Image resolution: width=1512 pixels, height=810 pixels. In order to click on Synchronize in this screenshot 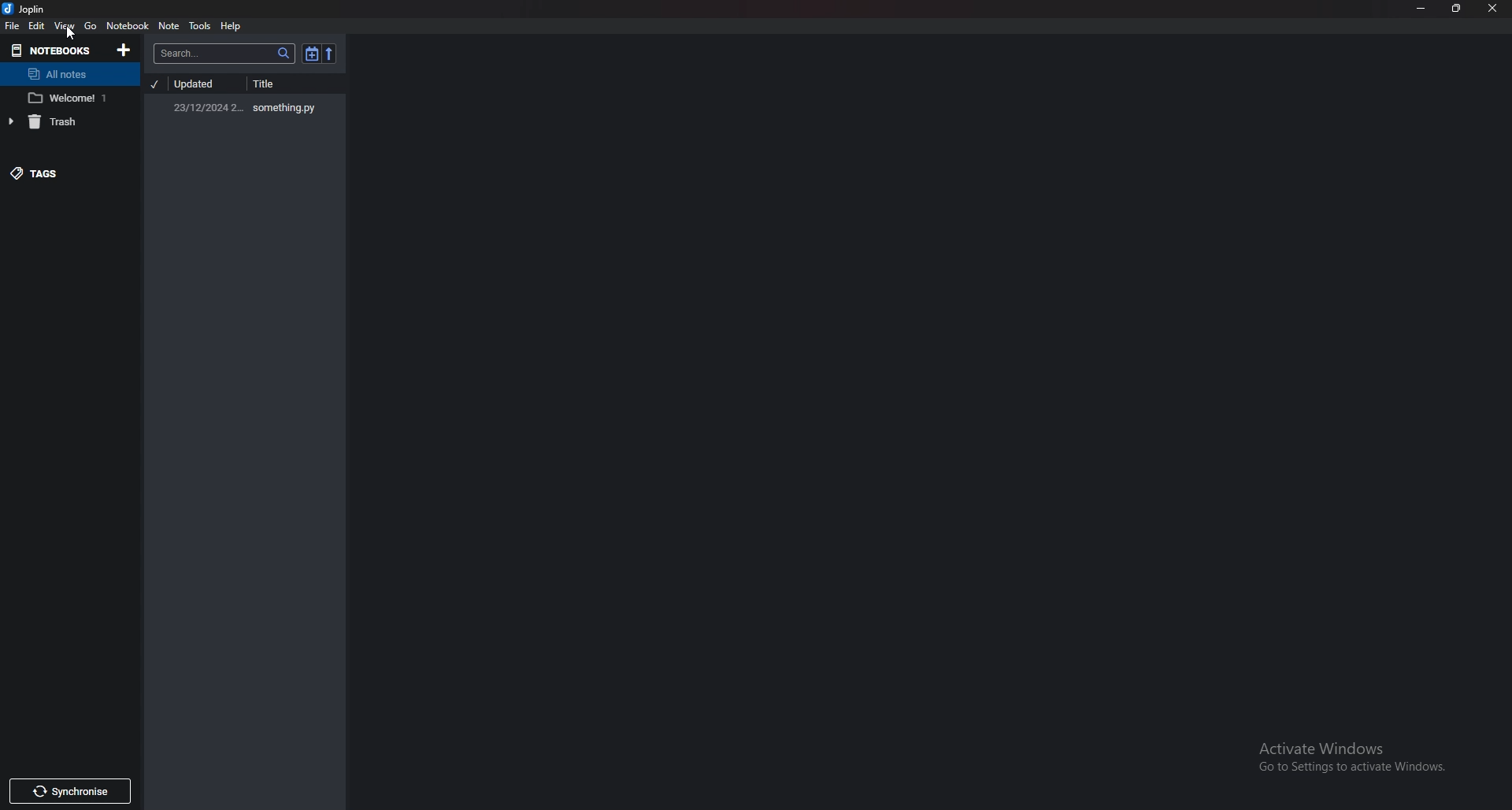, I will do `click(69, 793)`.